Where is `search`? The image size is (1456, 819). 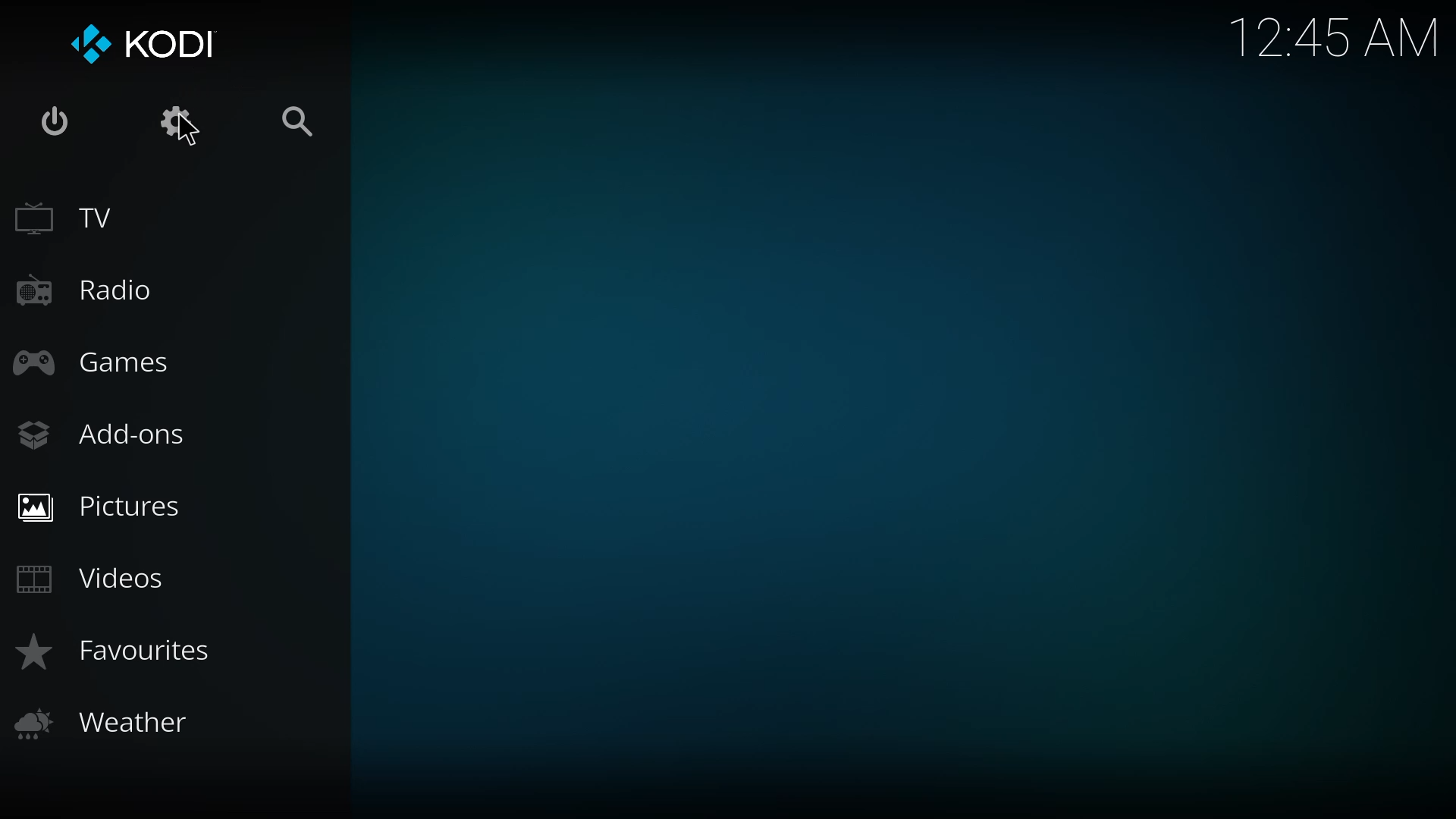 search is located at coordinates (305, 118).